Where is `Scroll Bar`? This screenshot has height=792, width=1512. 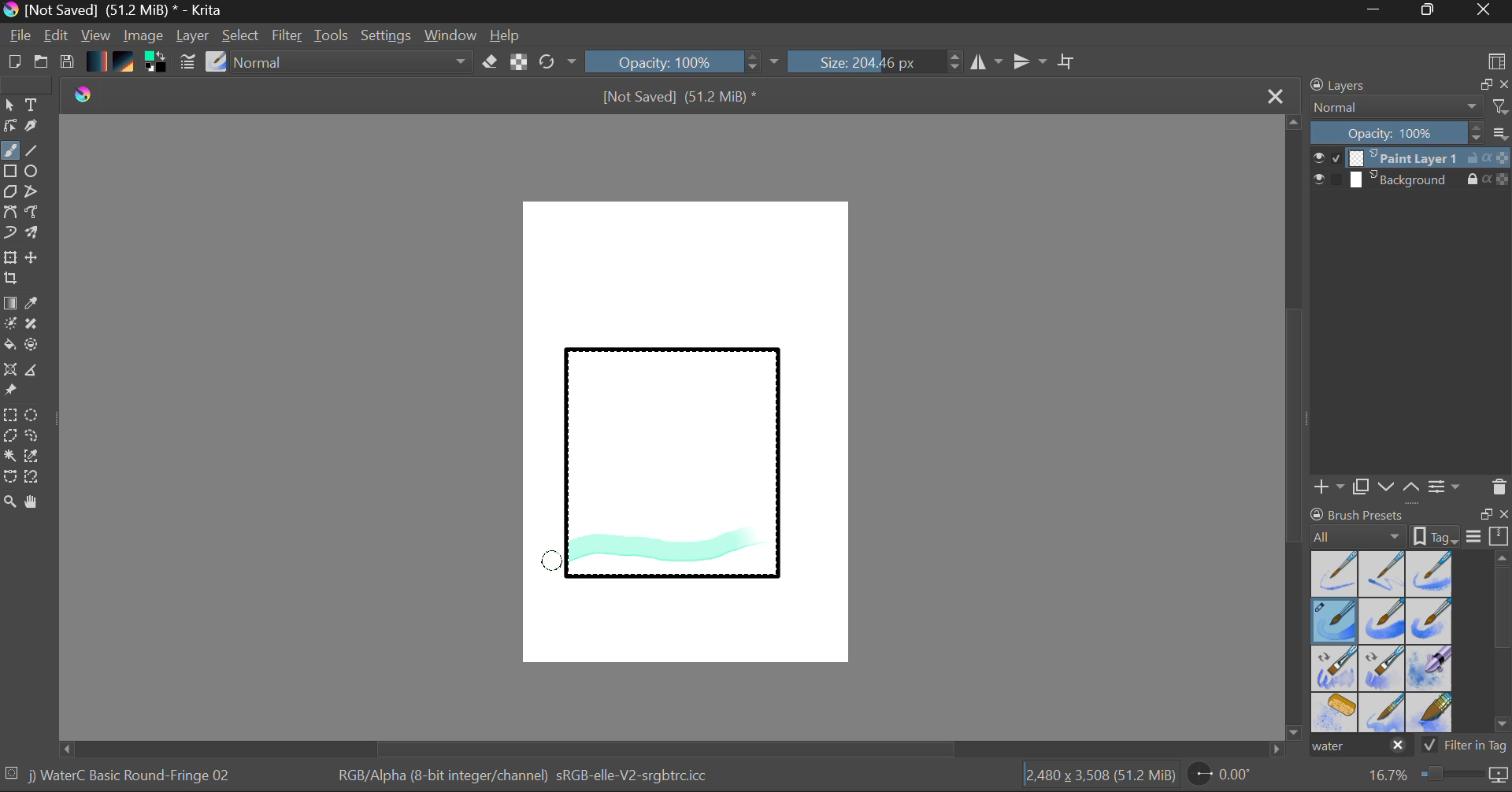
Scroll Bar is located at coordinates (1295, 429).